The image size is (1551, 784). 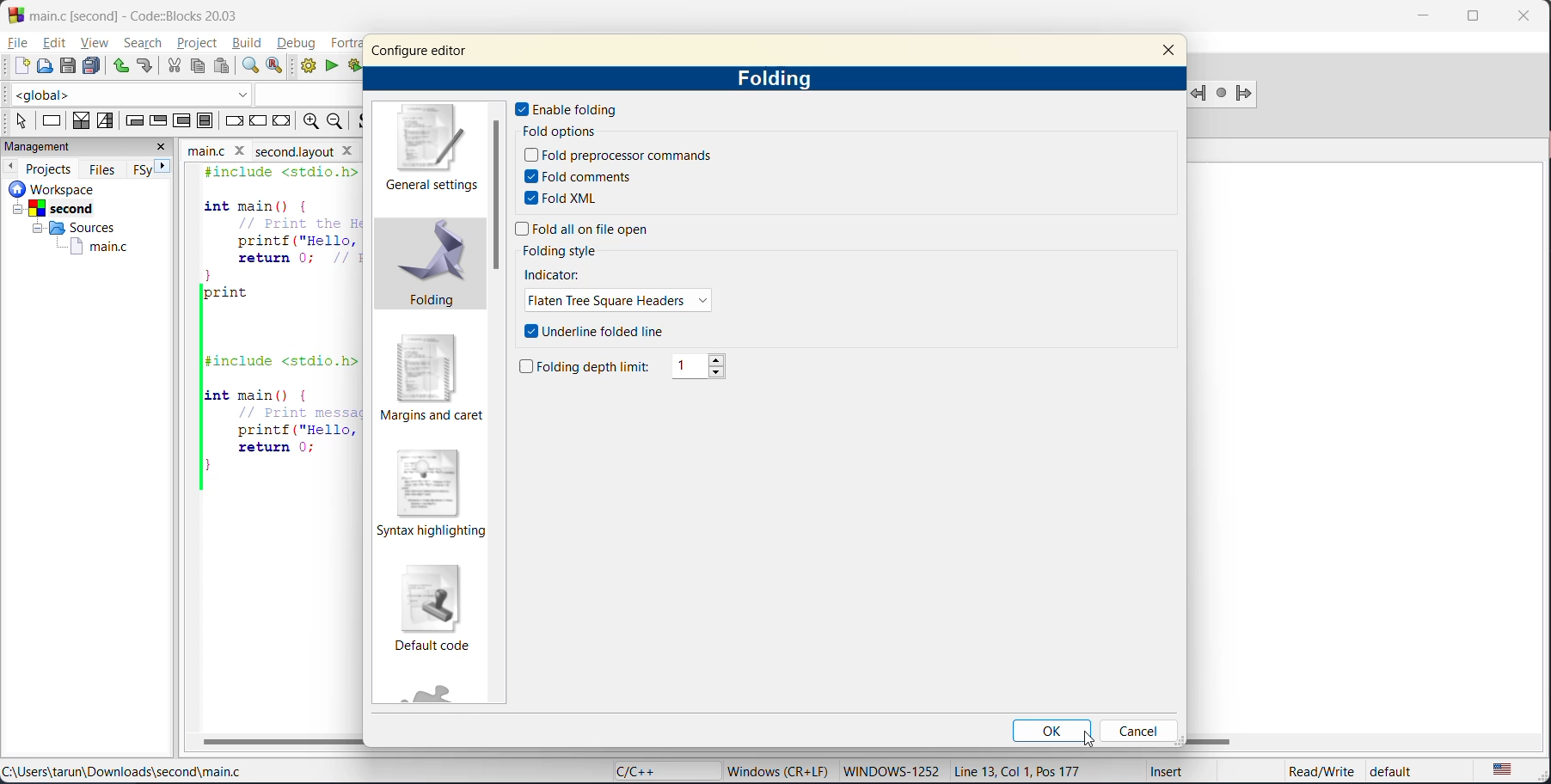 What do you see at coordinates (431, 378) in the screenshot?
I see `margins and caret` at bounding box center [431, 378].